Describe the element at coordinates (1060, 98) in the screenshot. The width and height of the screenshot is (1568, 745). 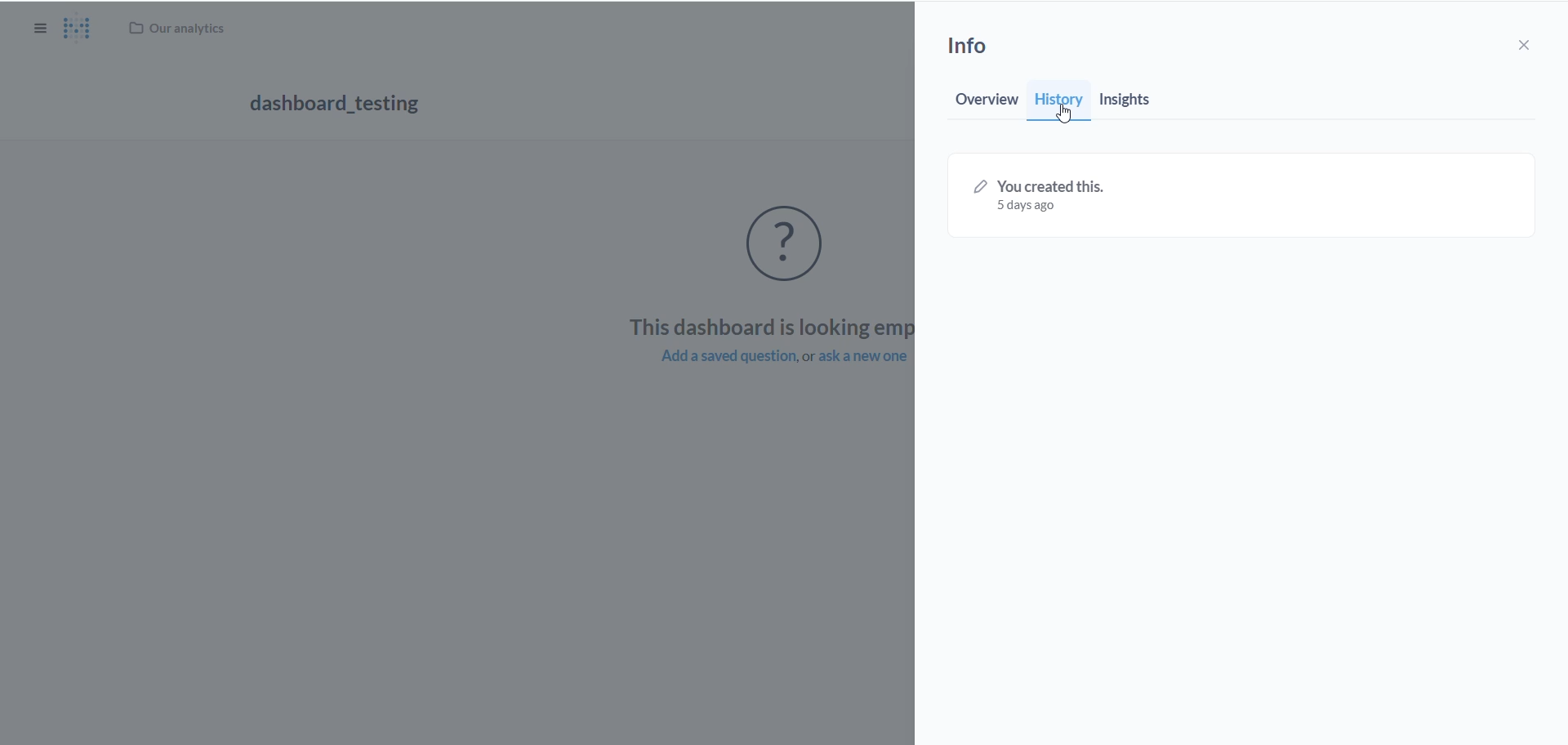
I see `history` at that location.